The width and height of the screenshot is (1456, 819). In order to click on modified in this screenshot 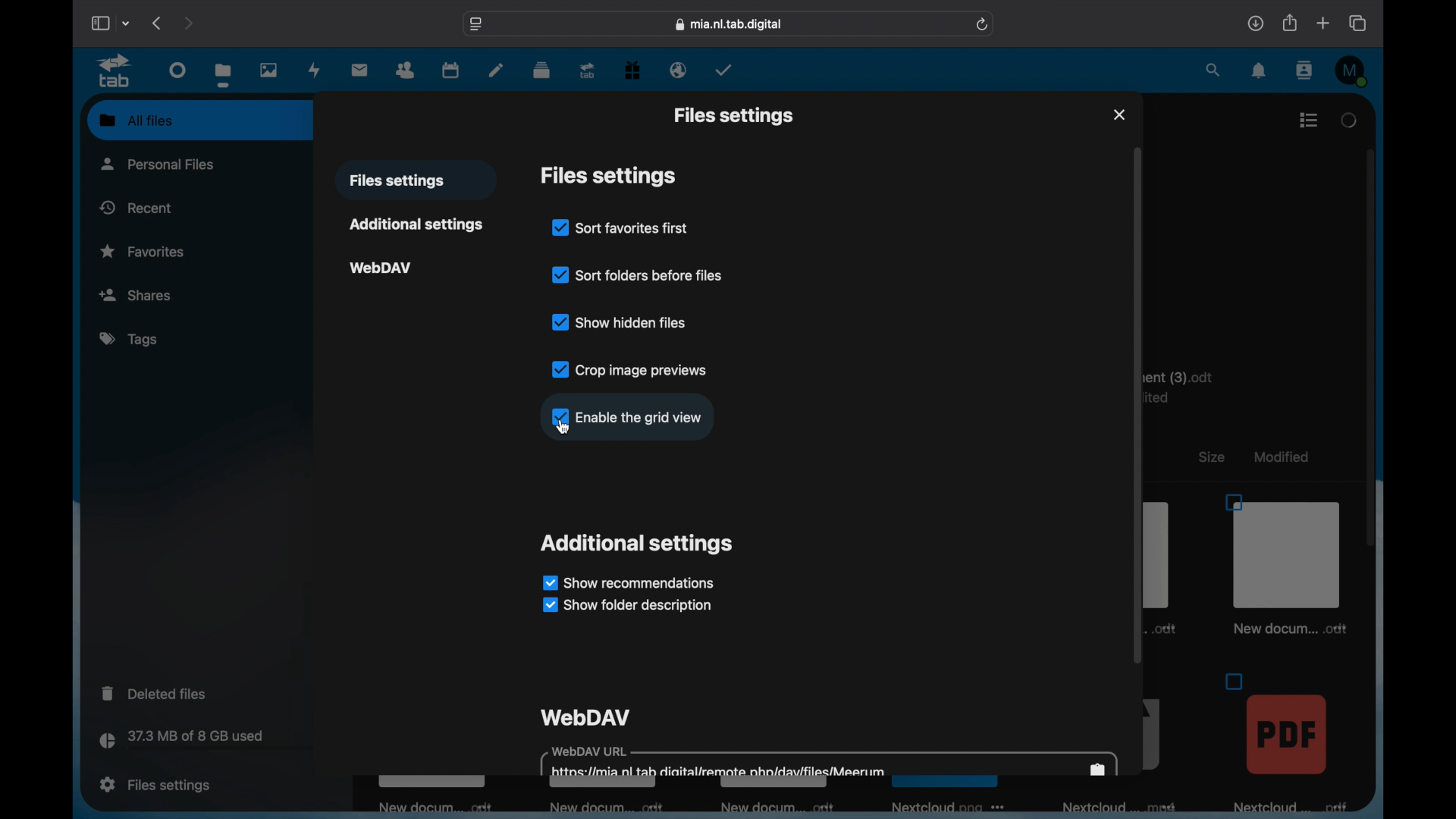, I will do `click(1279, 455)`.